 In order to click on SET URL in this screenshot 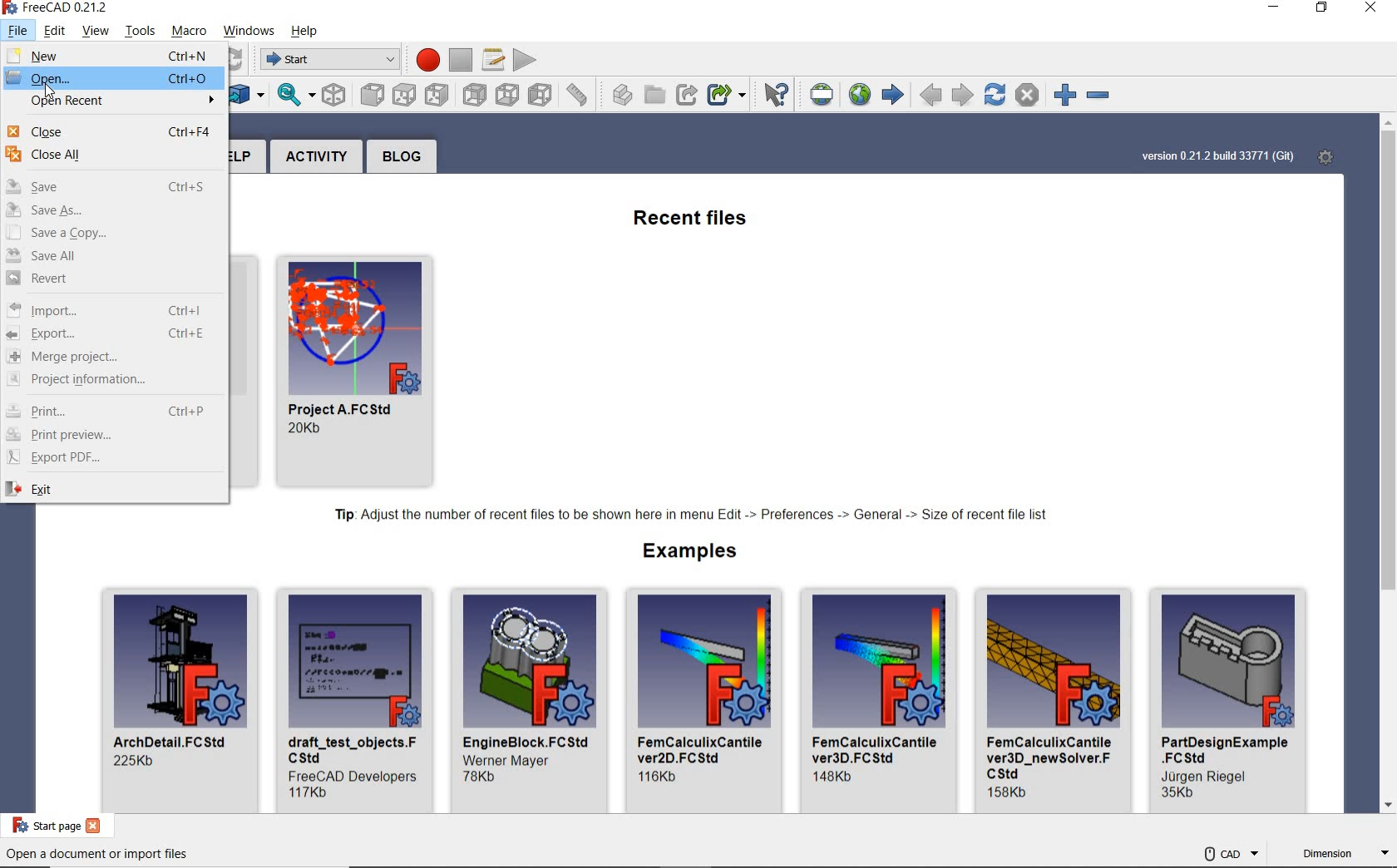, I will do `click(823, 95)`.